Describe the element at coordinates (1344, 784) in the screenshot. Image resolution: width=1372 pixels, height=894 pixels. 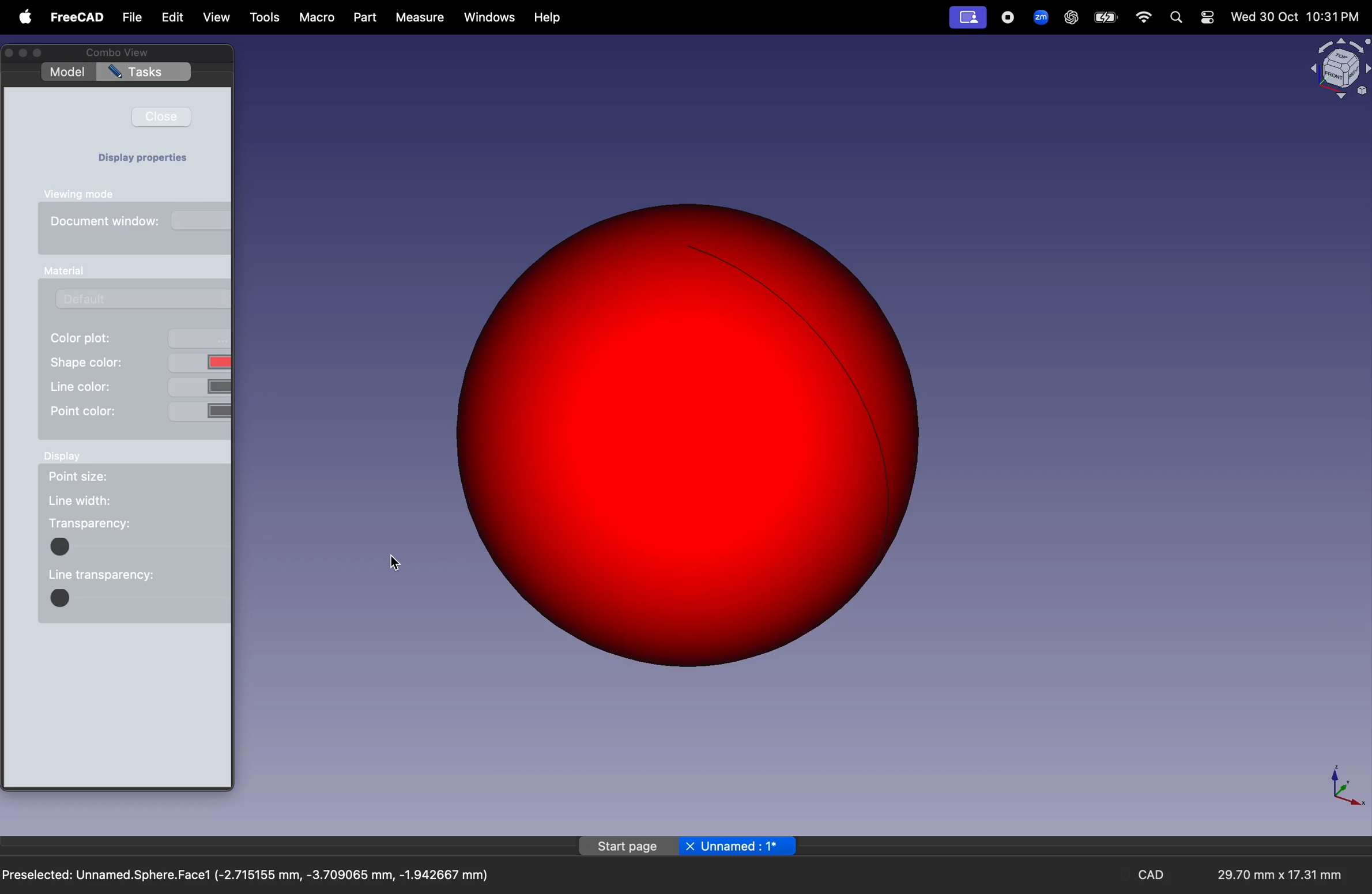
I see `axis` at that location.